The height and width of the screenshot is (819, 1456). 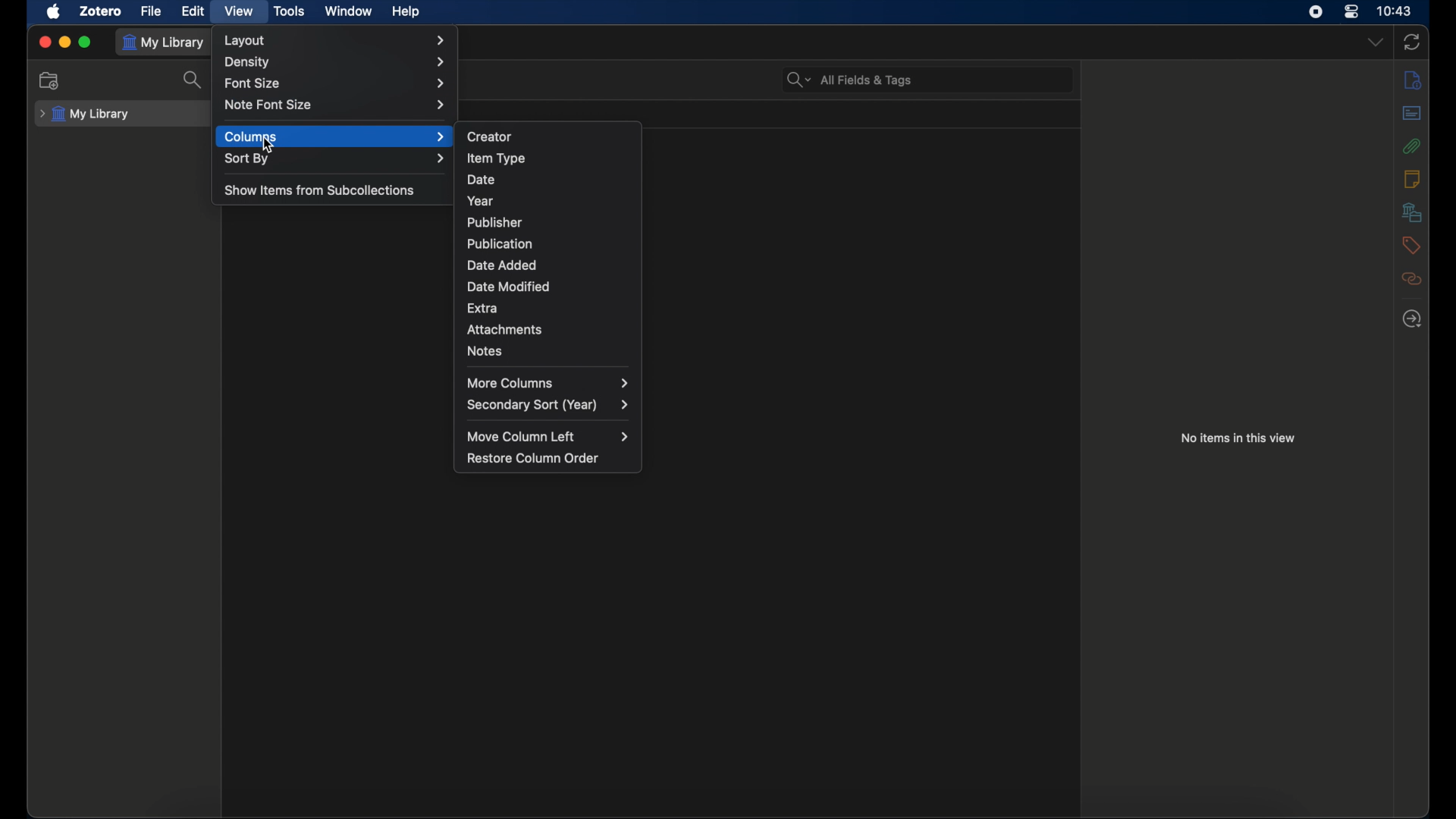 I want to click on date modified, so click(x=508, y=286).